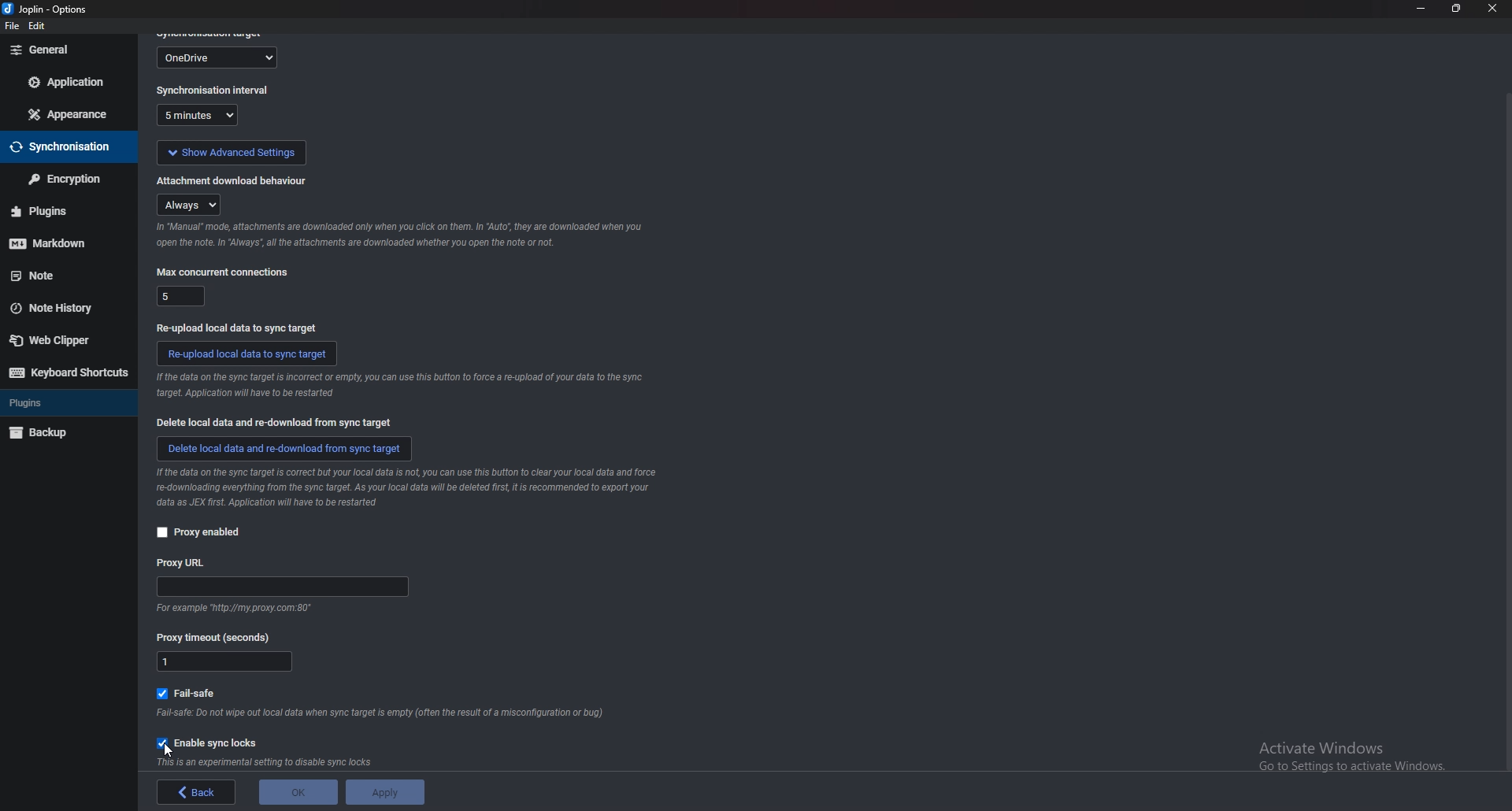 This screenshot has height=811, width=1512. I want to click on reupload , so click(235, 326).